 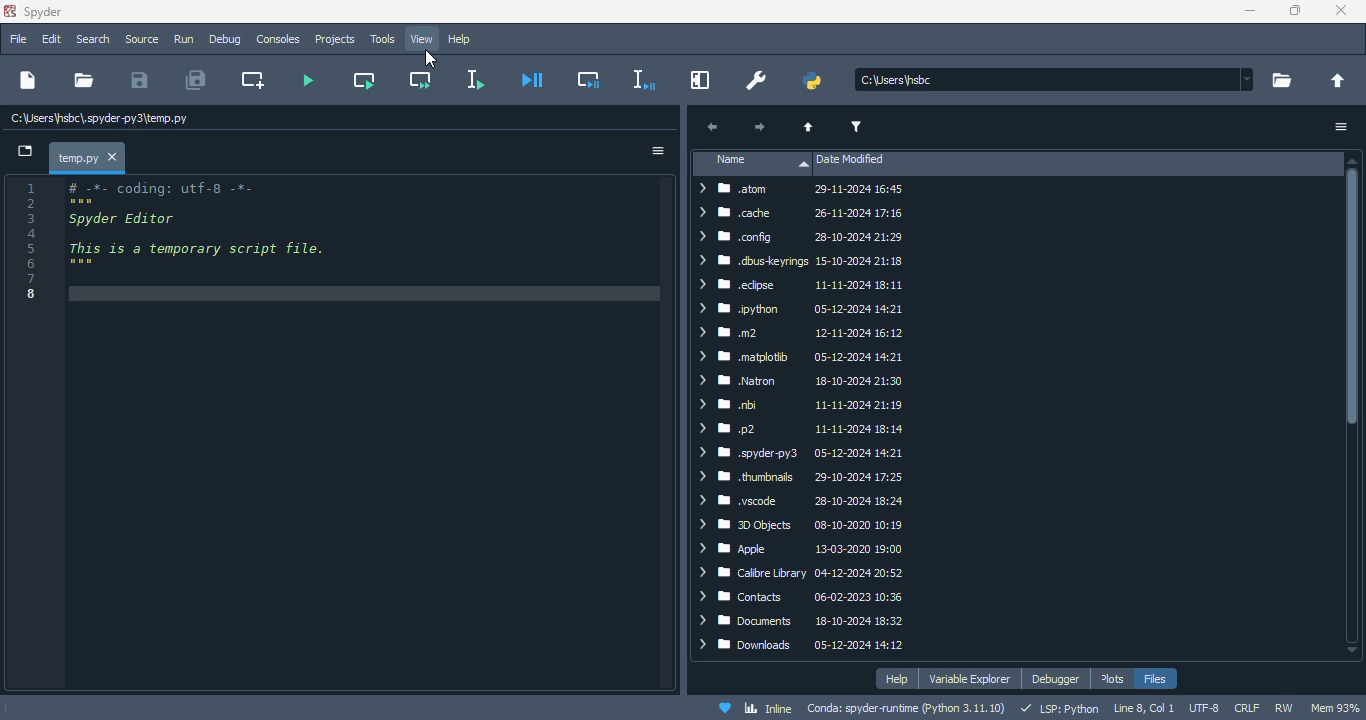 What do you see at coordinates (850, 160) in the screenshot?
I see `date modified` at bounding box center [850, 160].